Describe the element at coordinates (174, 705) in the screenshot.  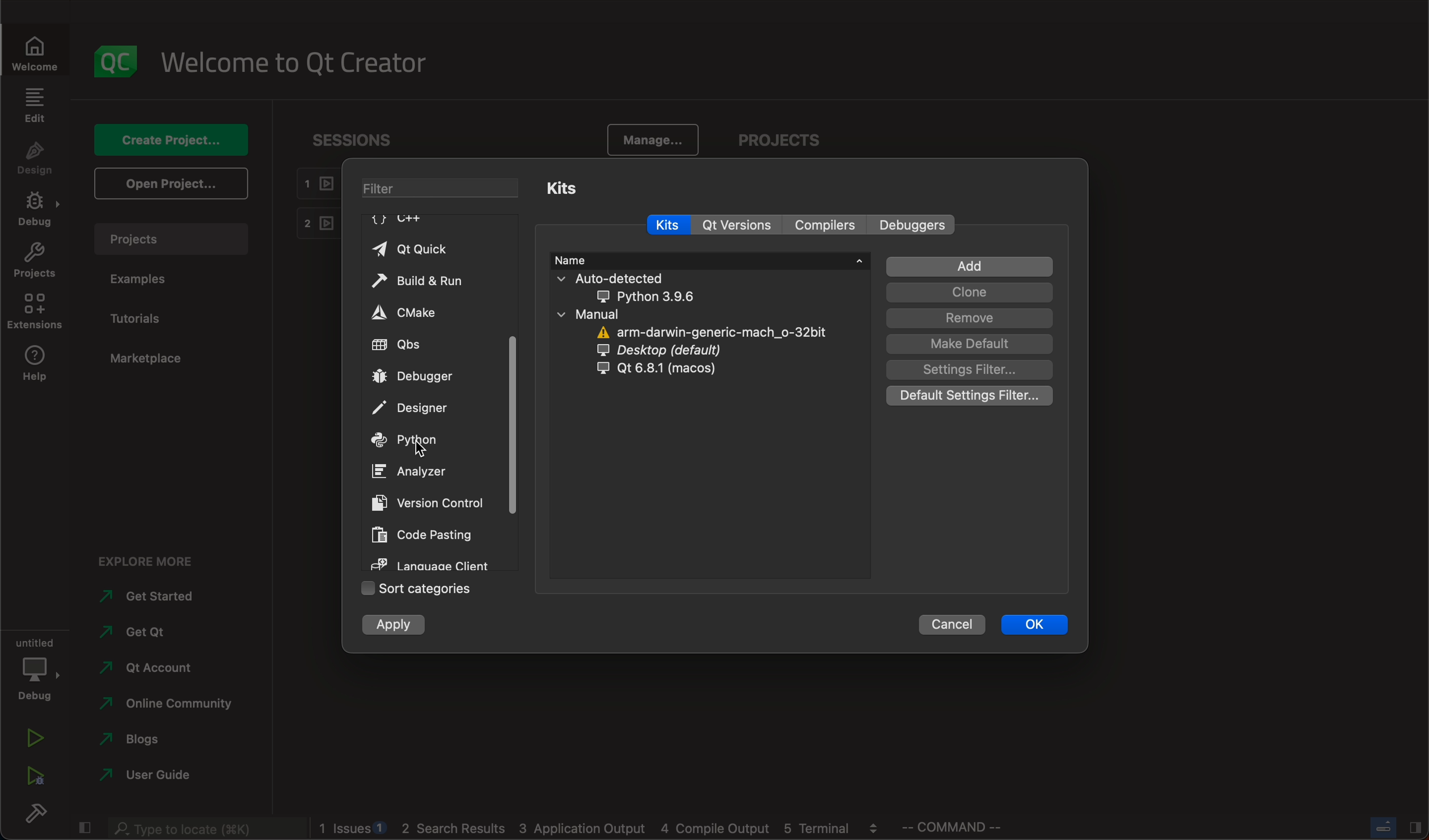
I see `community` at that location.